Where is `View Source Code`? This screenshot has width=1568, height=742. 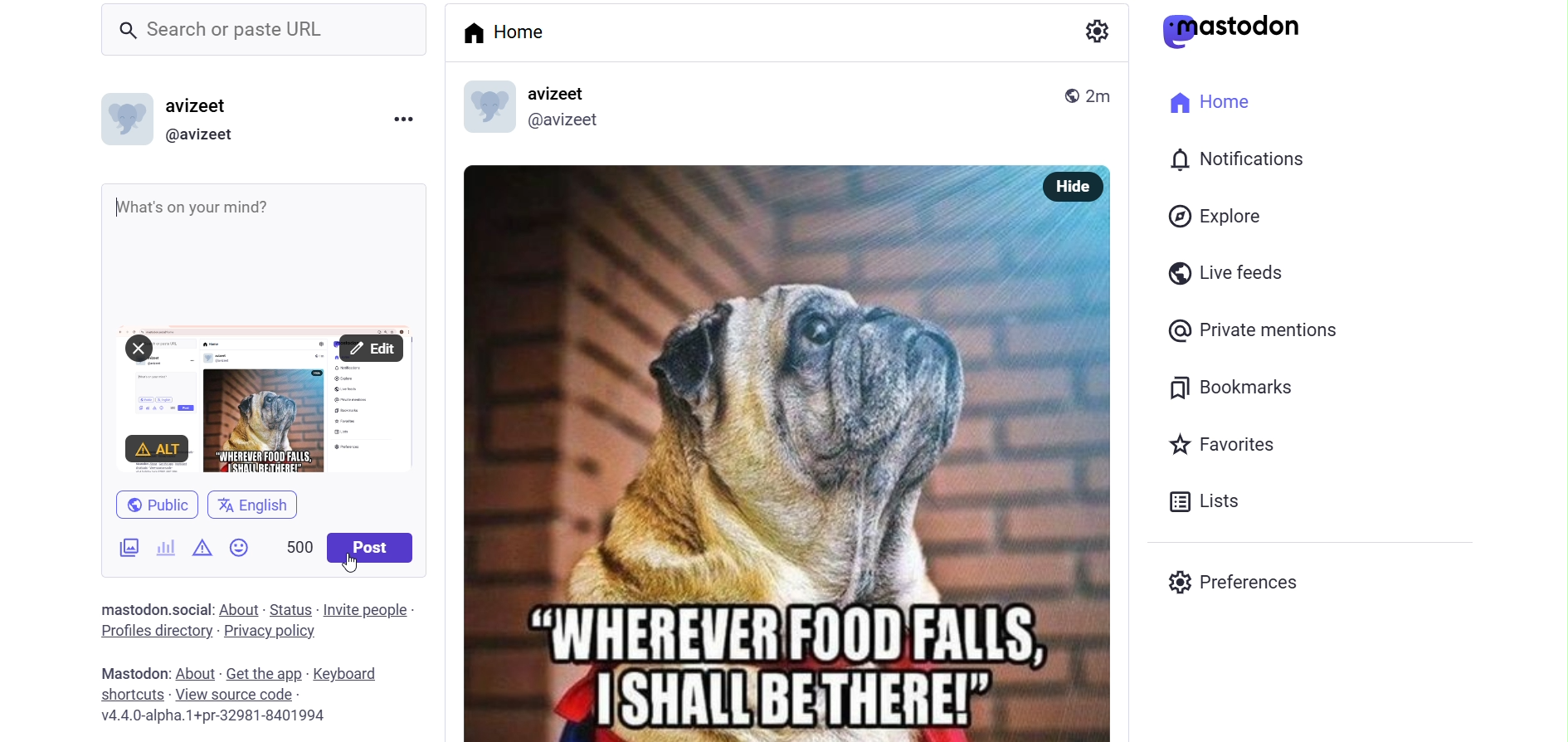
View Source Code is located at coordinates (236, 694).